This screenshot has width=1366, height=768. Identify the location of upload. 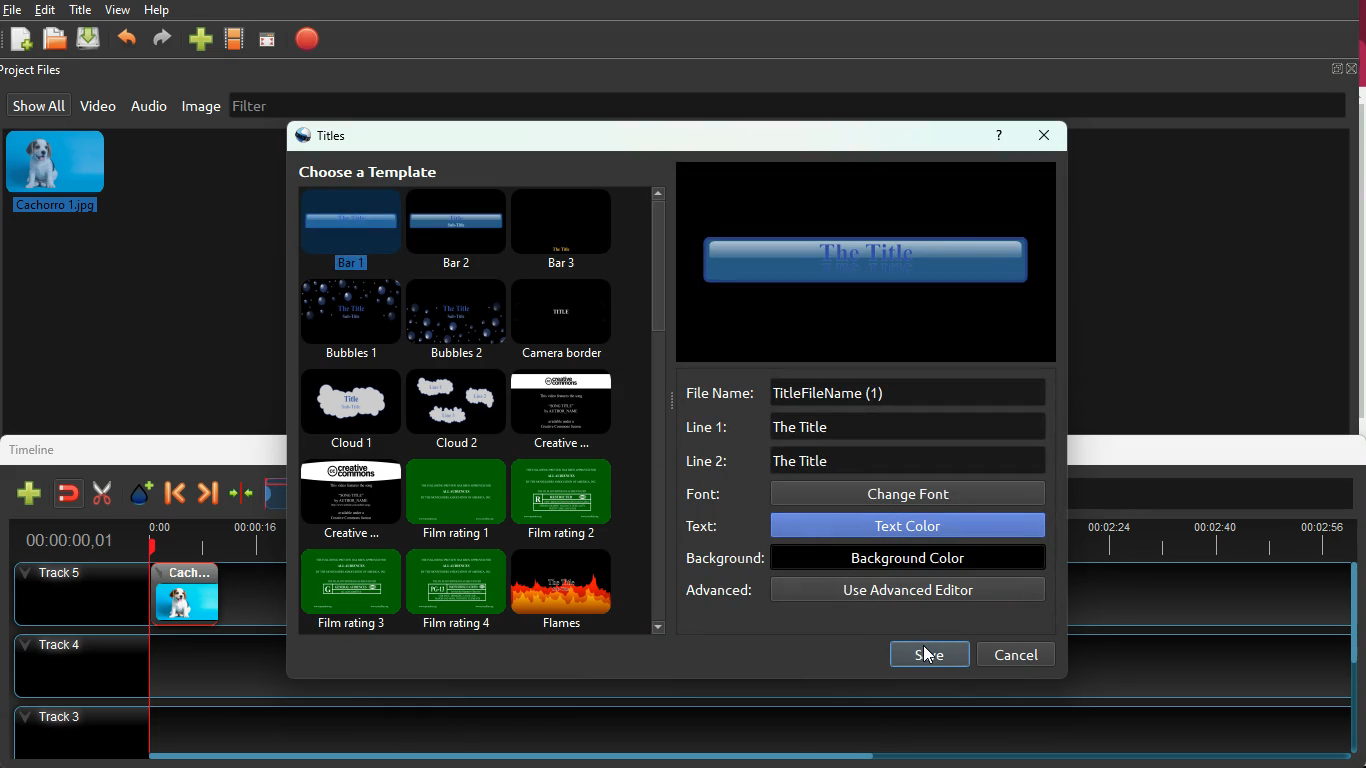
(90, 39).